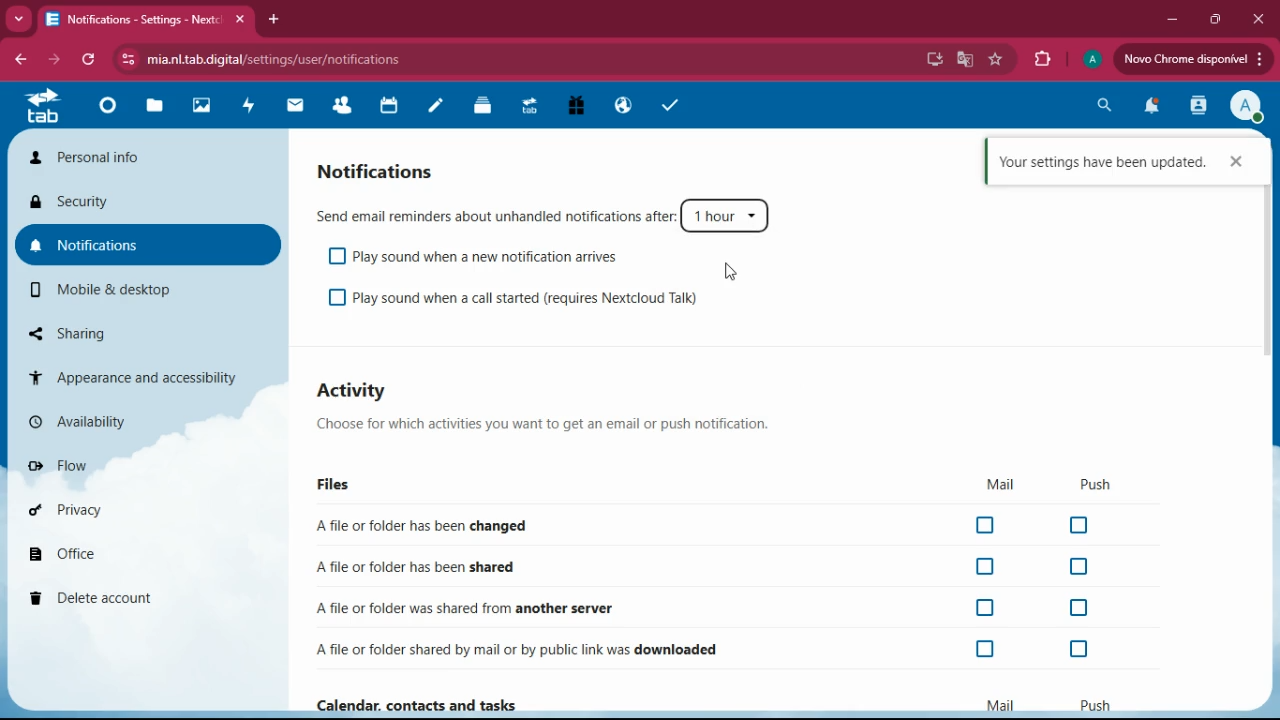  What do you see at coordinates (523, 646) in the screenshot?
I see `downloaded` at bounding box center [523, 646].